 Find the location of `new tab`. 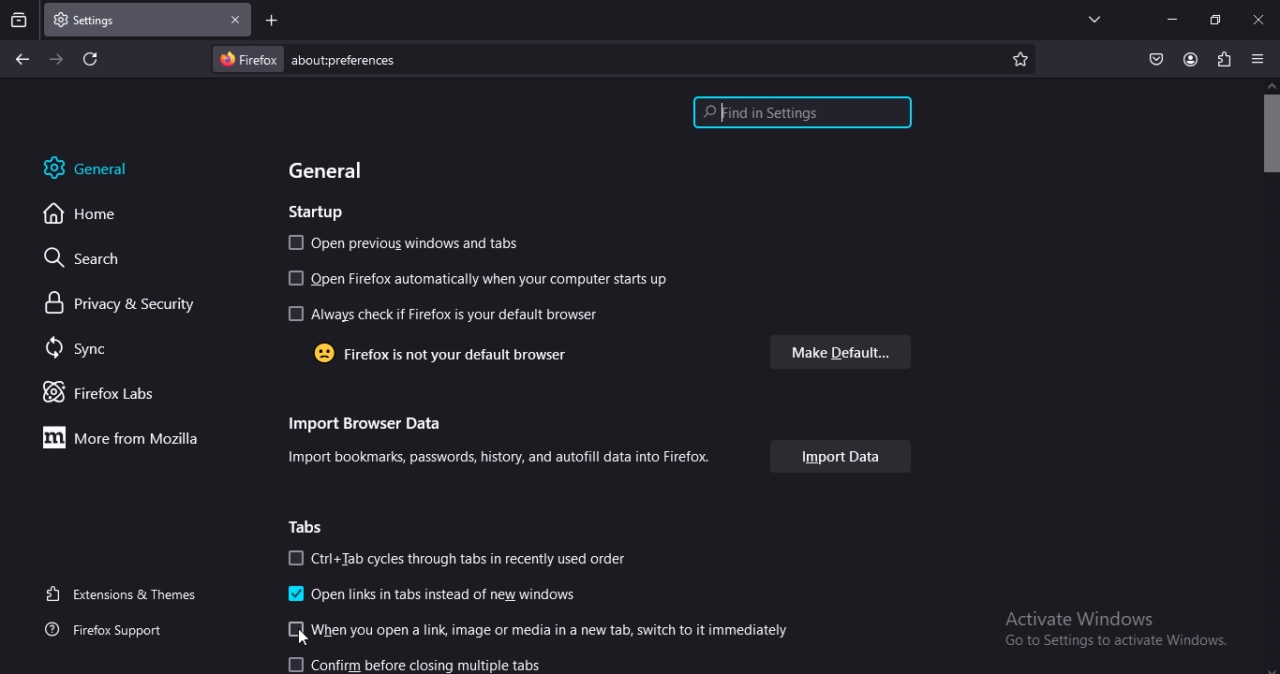

new tab is located at coordinates (273, 22).